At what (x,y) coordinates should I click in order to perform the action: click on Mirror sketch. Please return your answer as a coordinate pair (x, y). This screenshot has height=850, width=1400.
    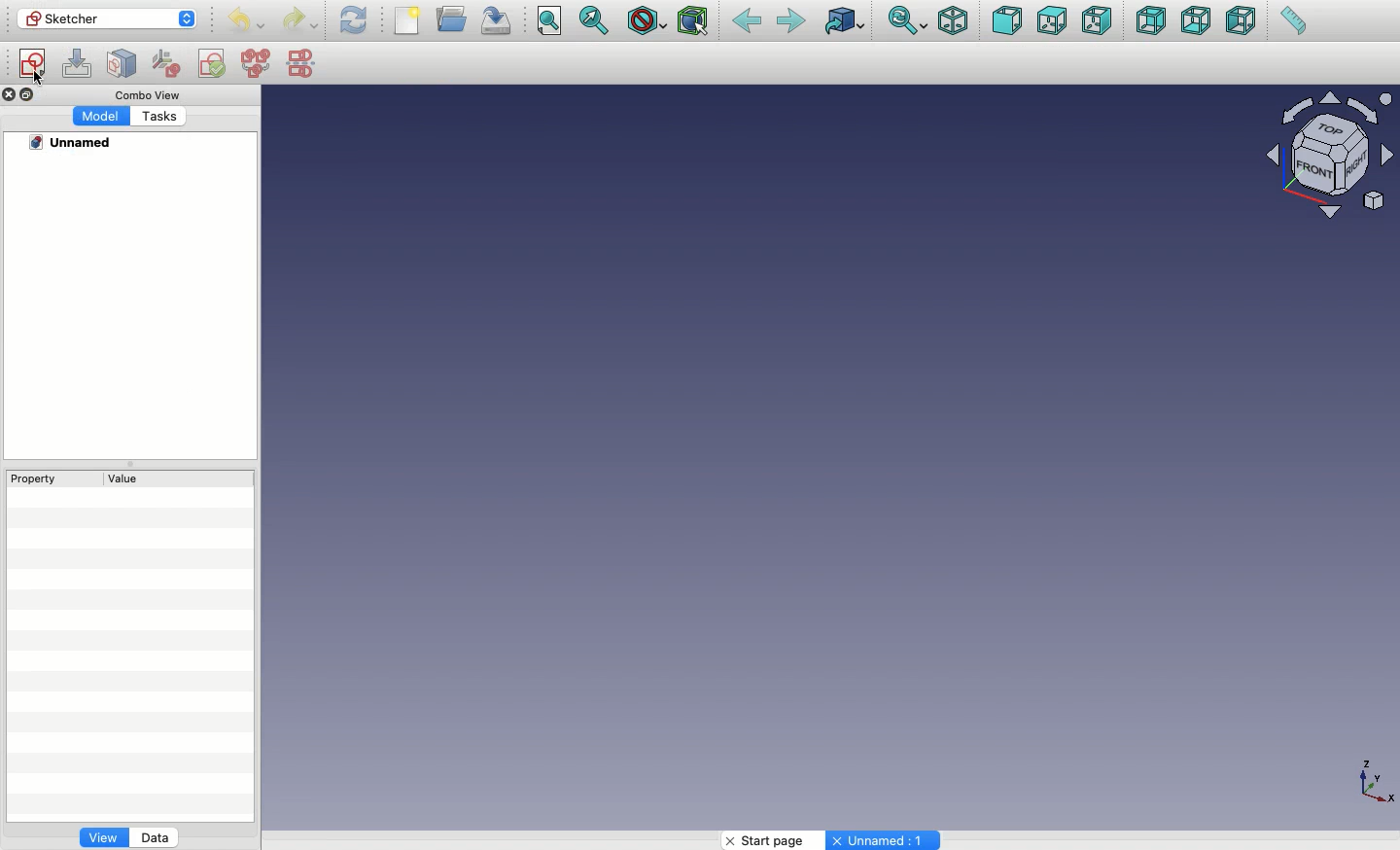
    Looking at the image, I should click on (301, 62).